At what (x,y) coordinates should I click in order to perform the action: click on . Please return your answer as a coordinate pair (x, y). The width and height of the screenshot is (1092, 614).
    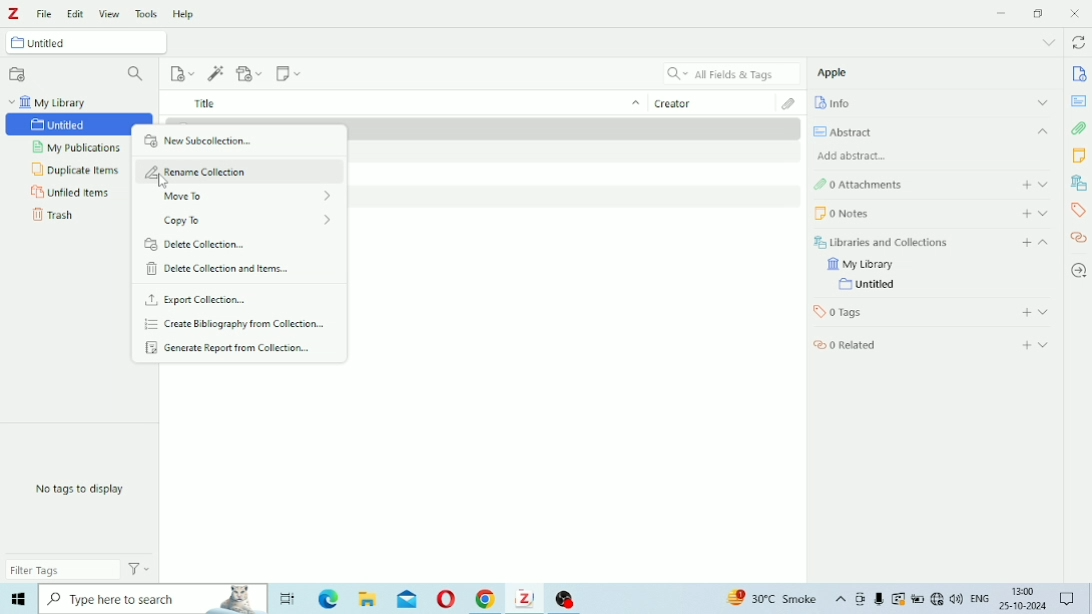
    Looking at the image, I should click on (444, 597).